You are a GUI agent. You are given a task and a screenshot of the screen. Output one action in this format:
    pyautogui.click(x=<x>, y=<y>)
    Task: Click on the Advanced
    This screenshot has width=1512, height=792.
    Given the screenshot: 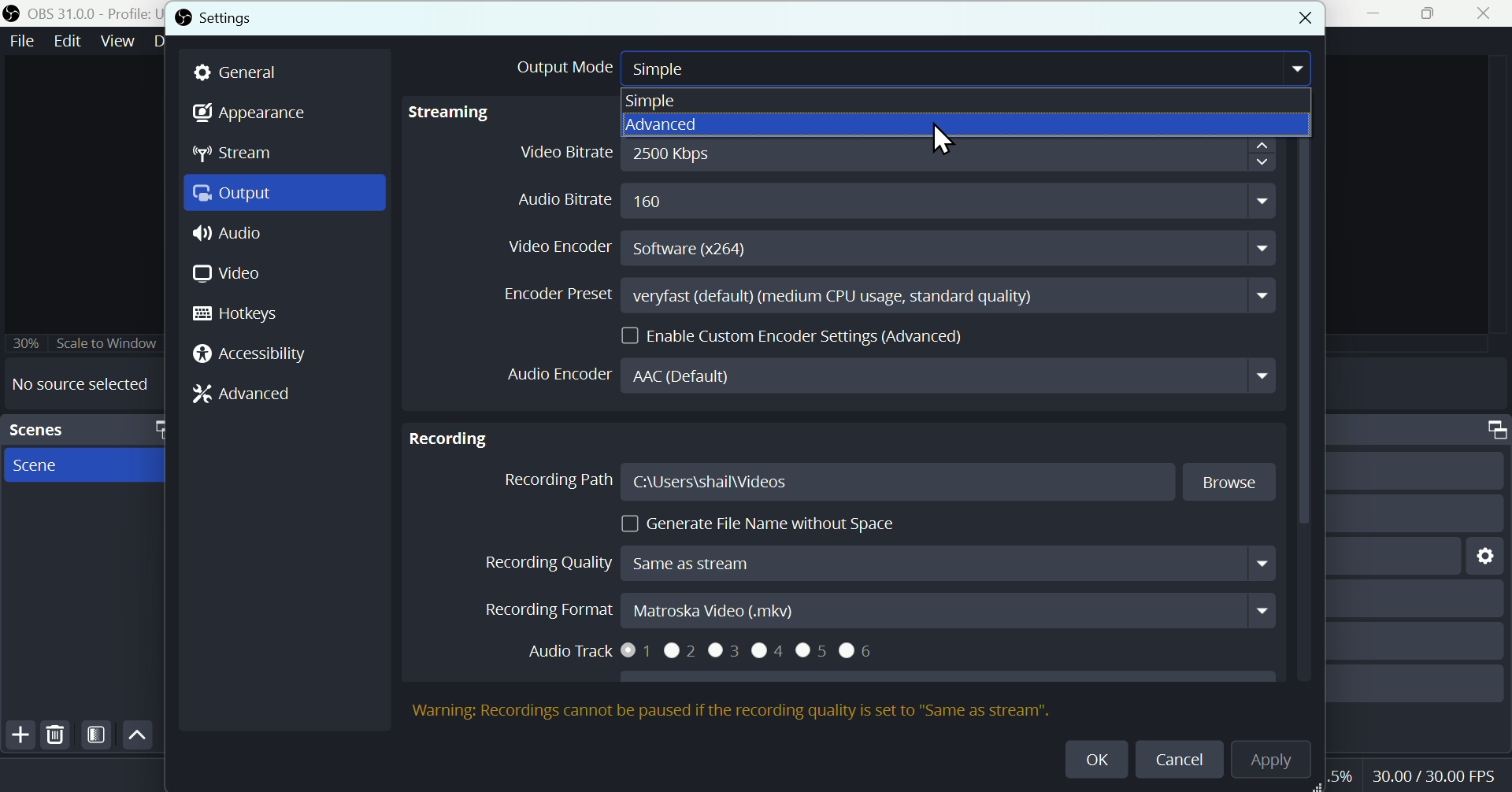 What is the action you would take?
    pyautogui.click(x=969, y=125)
    